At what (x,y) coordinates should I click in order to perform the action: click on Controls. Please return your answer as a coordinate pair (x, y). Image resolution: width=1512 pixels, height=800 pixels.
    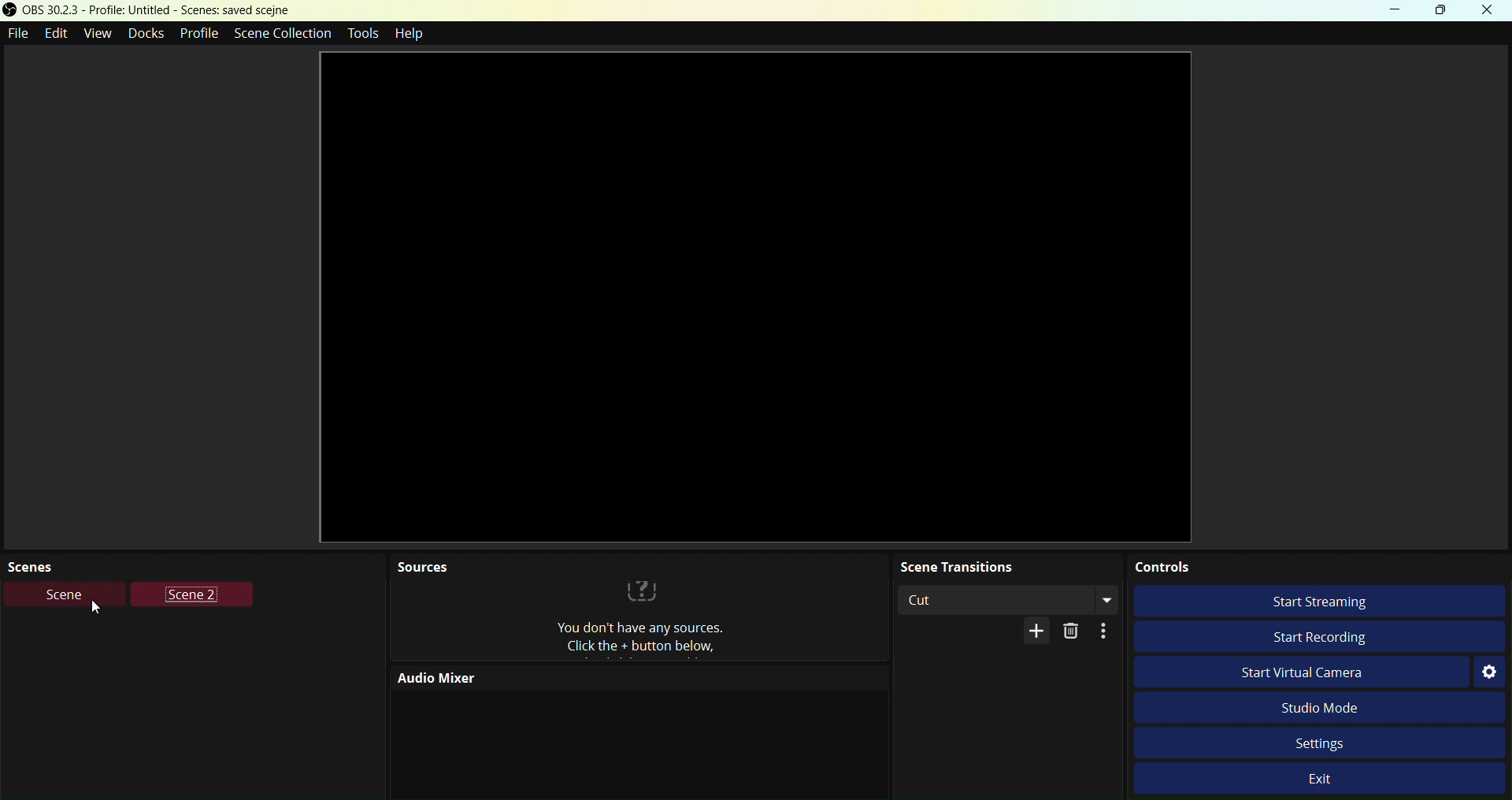
    Looking at the image, I should click on (1318, 567).